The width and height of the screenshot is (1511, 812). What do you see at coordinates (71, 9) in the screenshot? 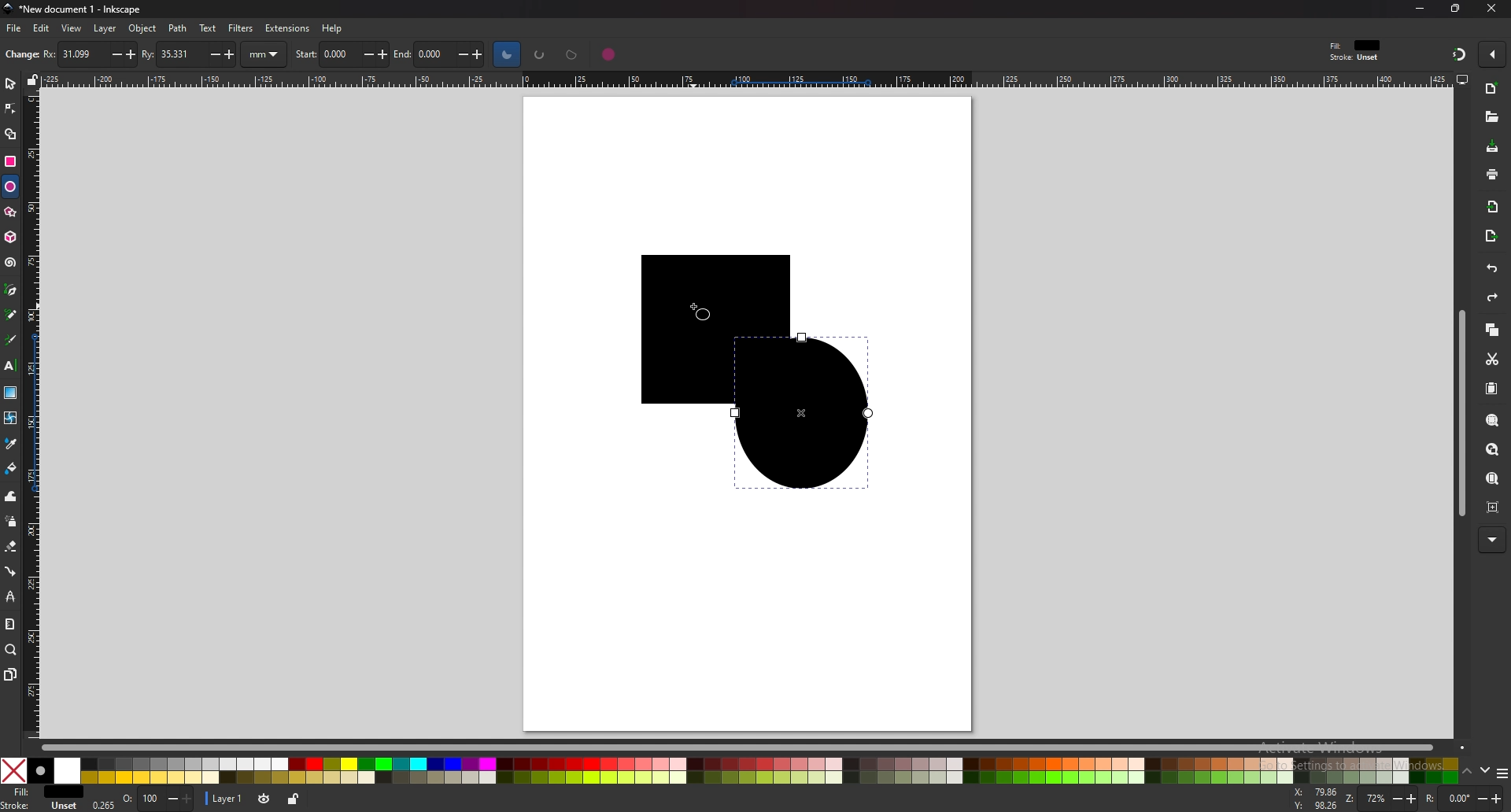
I see `title` at bounding box center [71, 9].